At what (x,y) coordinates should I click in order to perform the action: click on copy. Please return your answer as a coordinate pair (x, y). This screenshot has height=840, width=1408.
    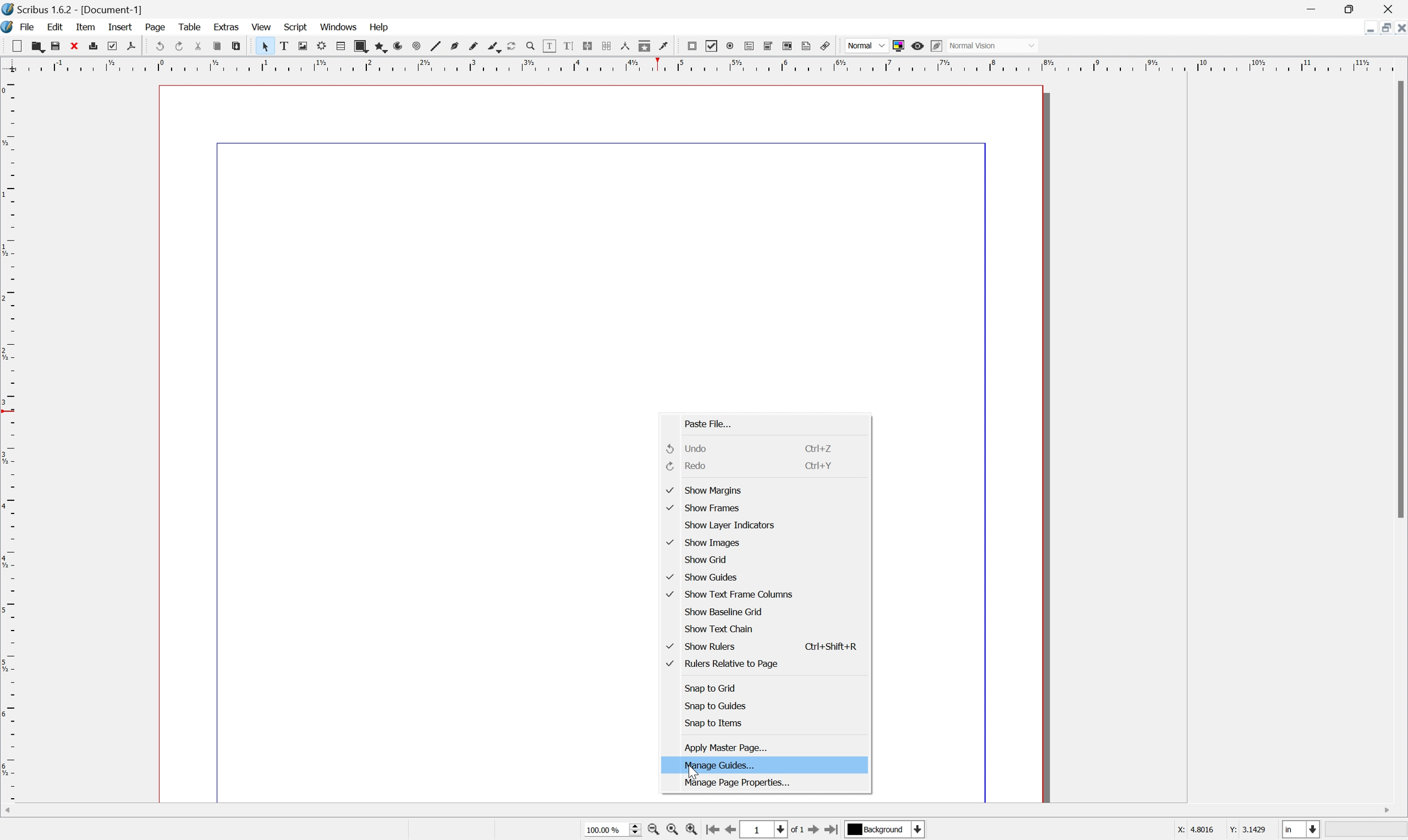
    Looking at the image, I should click on (217, 44).